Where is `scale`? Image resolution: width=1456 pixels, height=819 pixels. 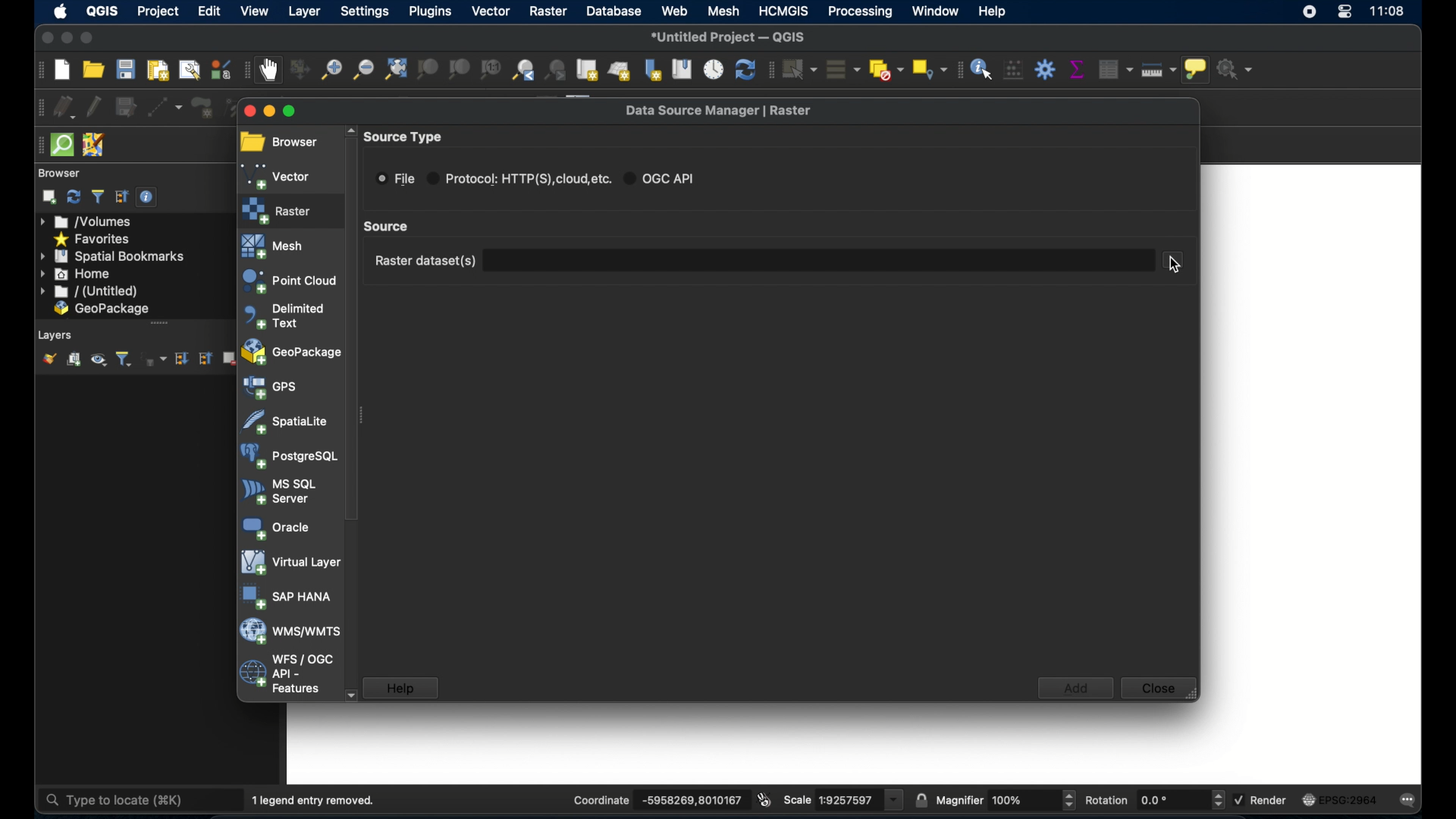
scale is located at coordinates (845, 800).